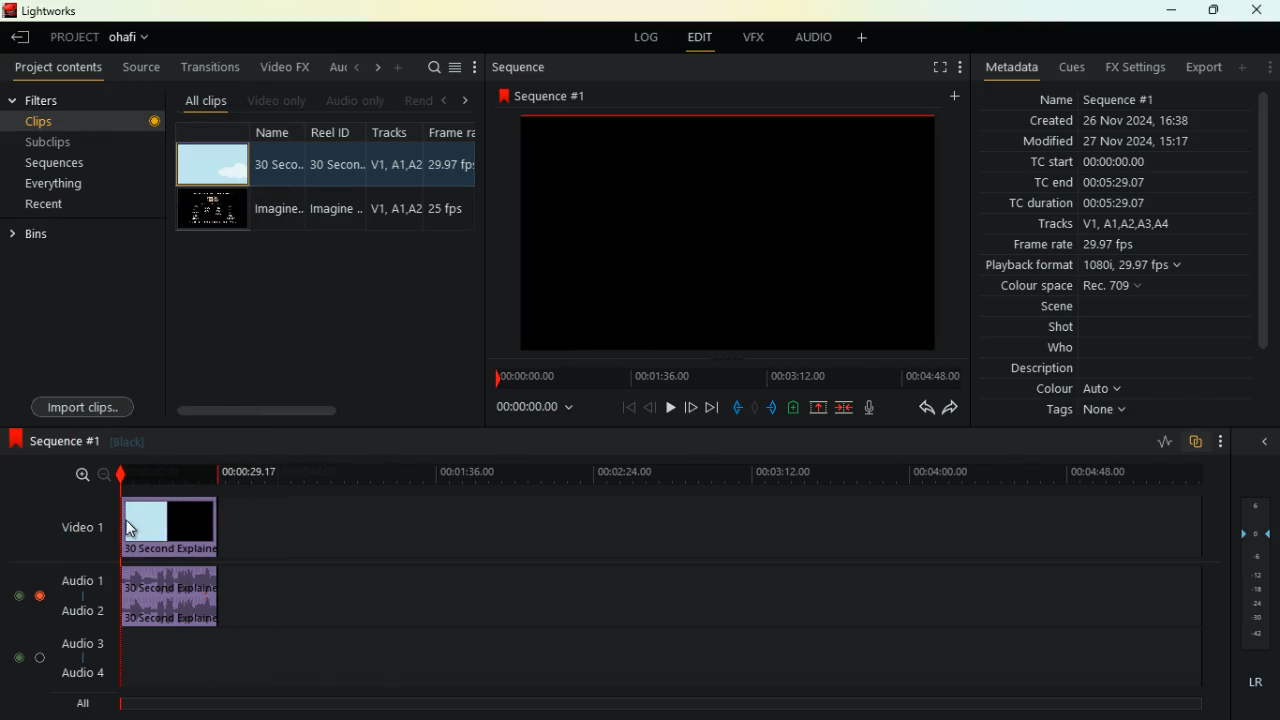  What do you see at coordinates (399, 68) in the screenshot?
I see `add` at bounding box center [399, 68].